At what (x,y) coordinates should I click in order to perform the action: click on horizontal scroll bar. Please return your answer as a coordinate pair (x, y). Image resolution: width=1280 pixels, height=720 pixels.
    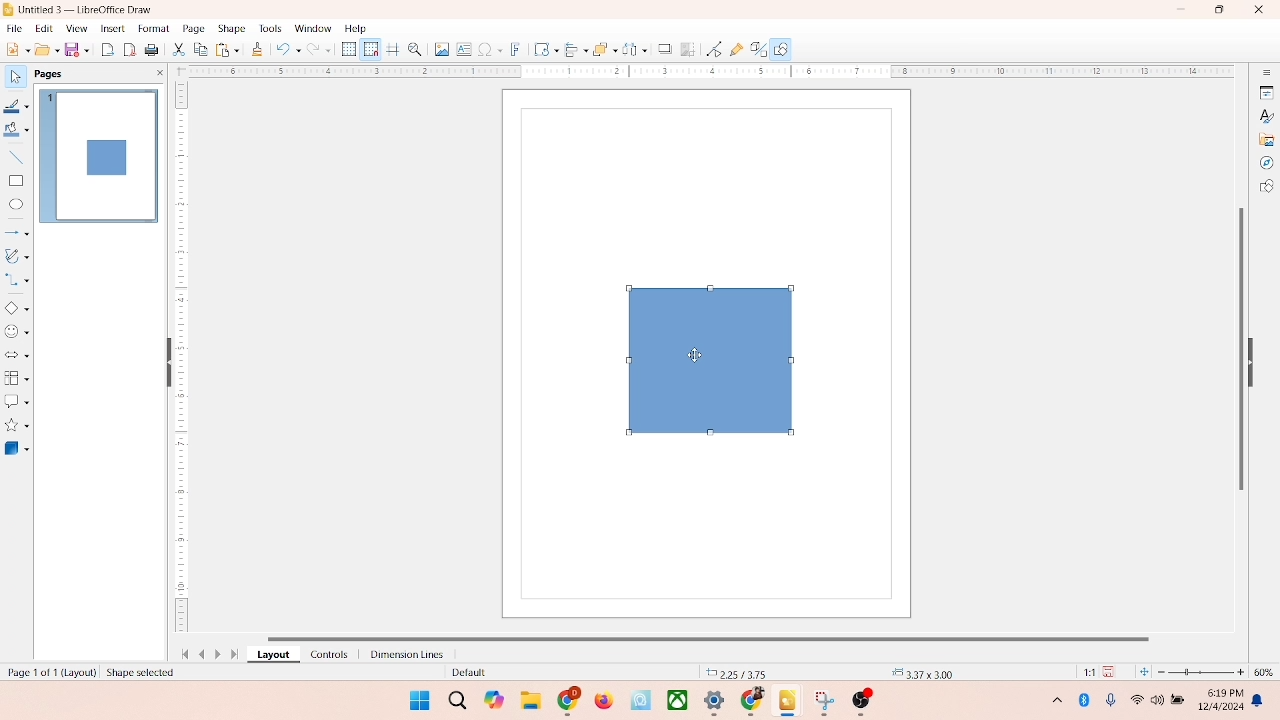
    Looking at the image, I should click on (724, 636).